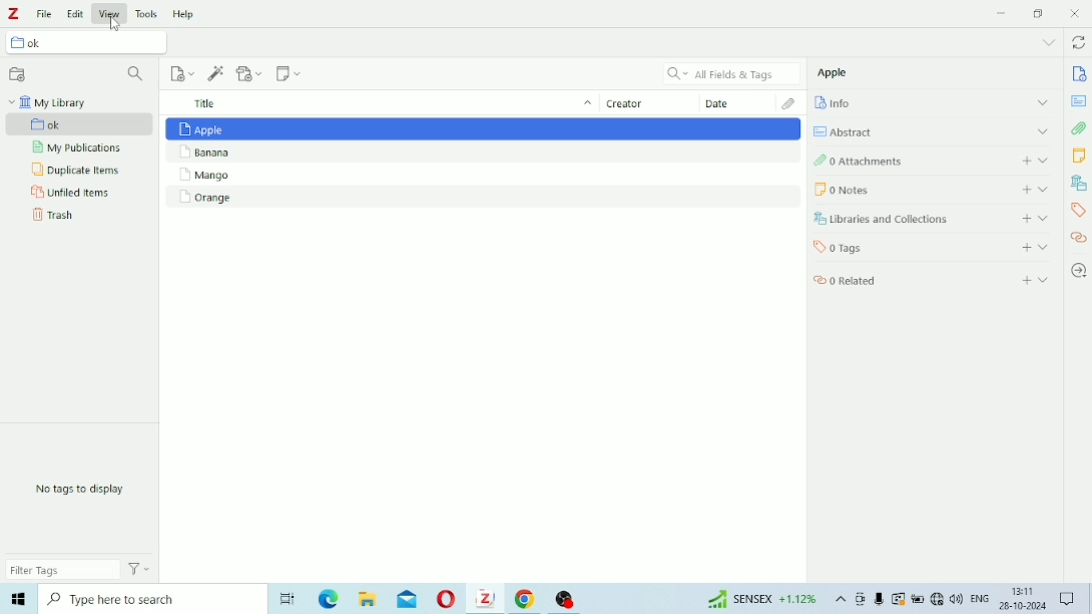 Image resolution: width=1092 pixels, height=614 pixels. I want to click on Notes, so click(893, 188).